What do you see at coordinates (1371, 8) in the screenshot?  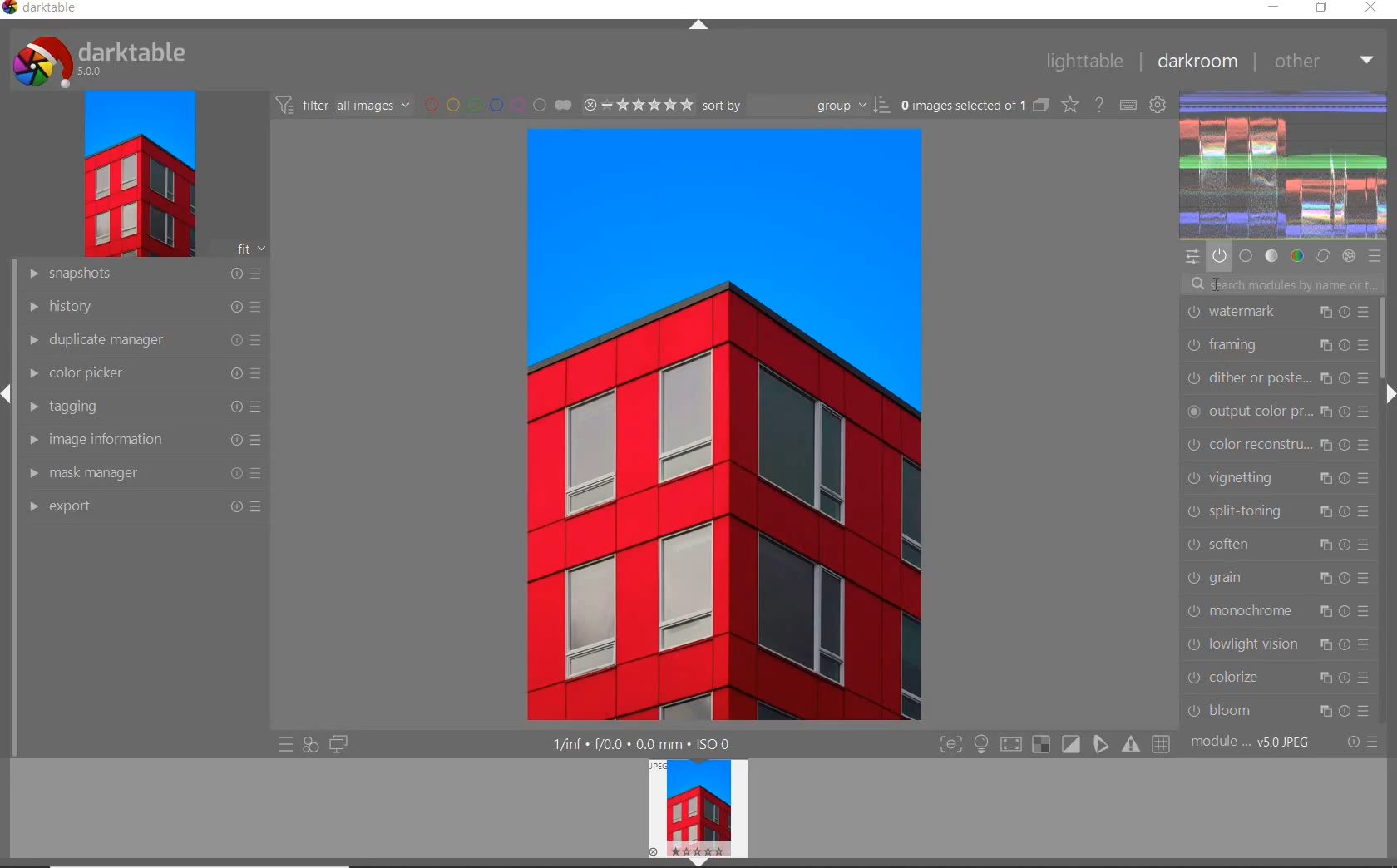 I see `close` at bounding box center [1371, 8].